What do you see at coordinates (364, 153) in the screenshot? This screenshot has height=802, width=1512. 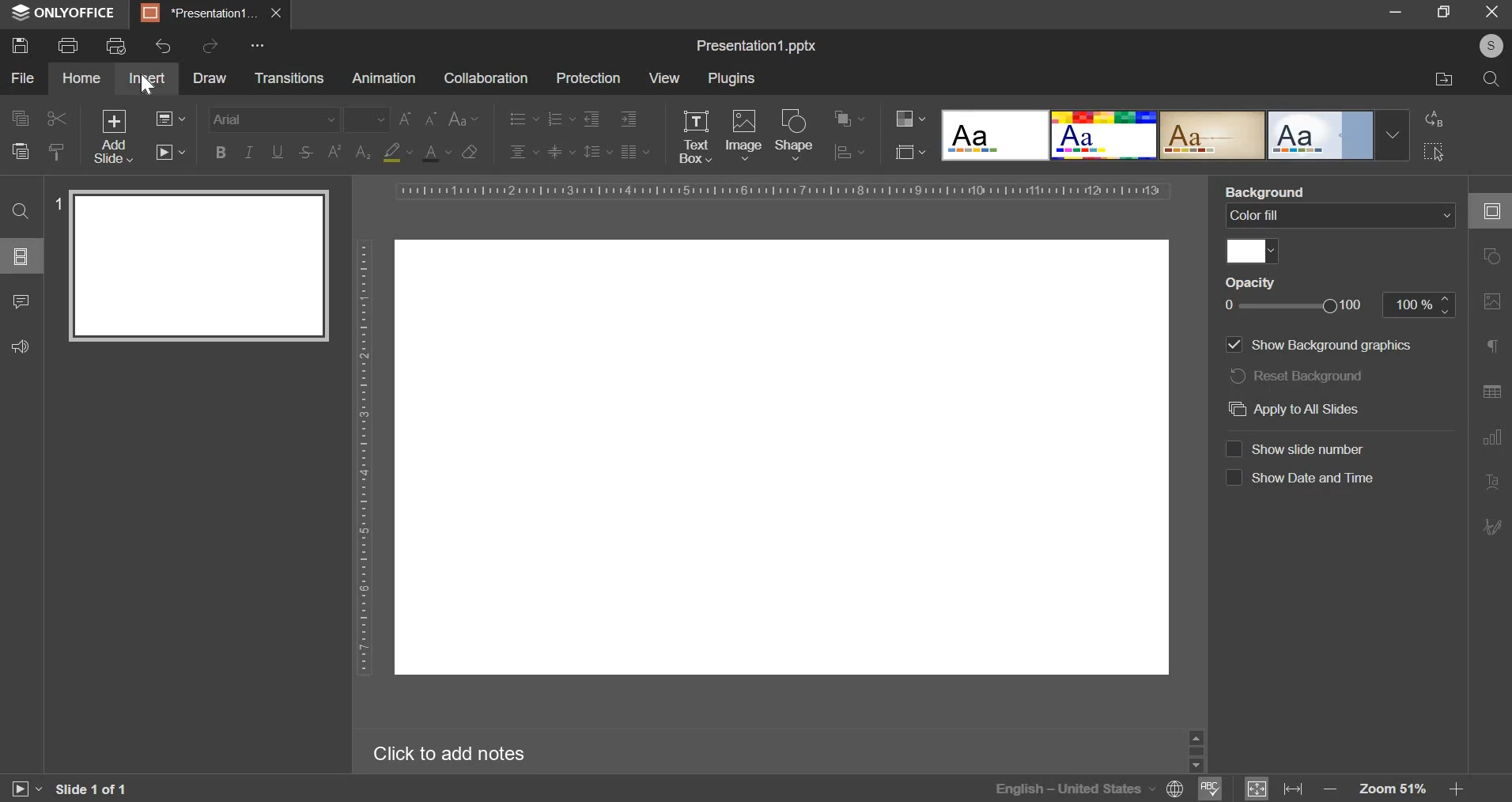 I see `subscript & superscript` at bounding box center [364, 153].